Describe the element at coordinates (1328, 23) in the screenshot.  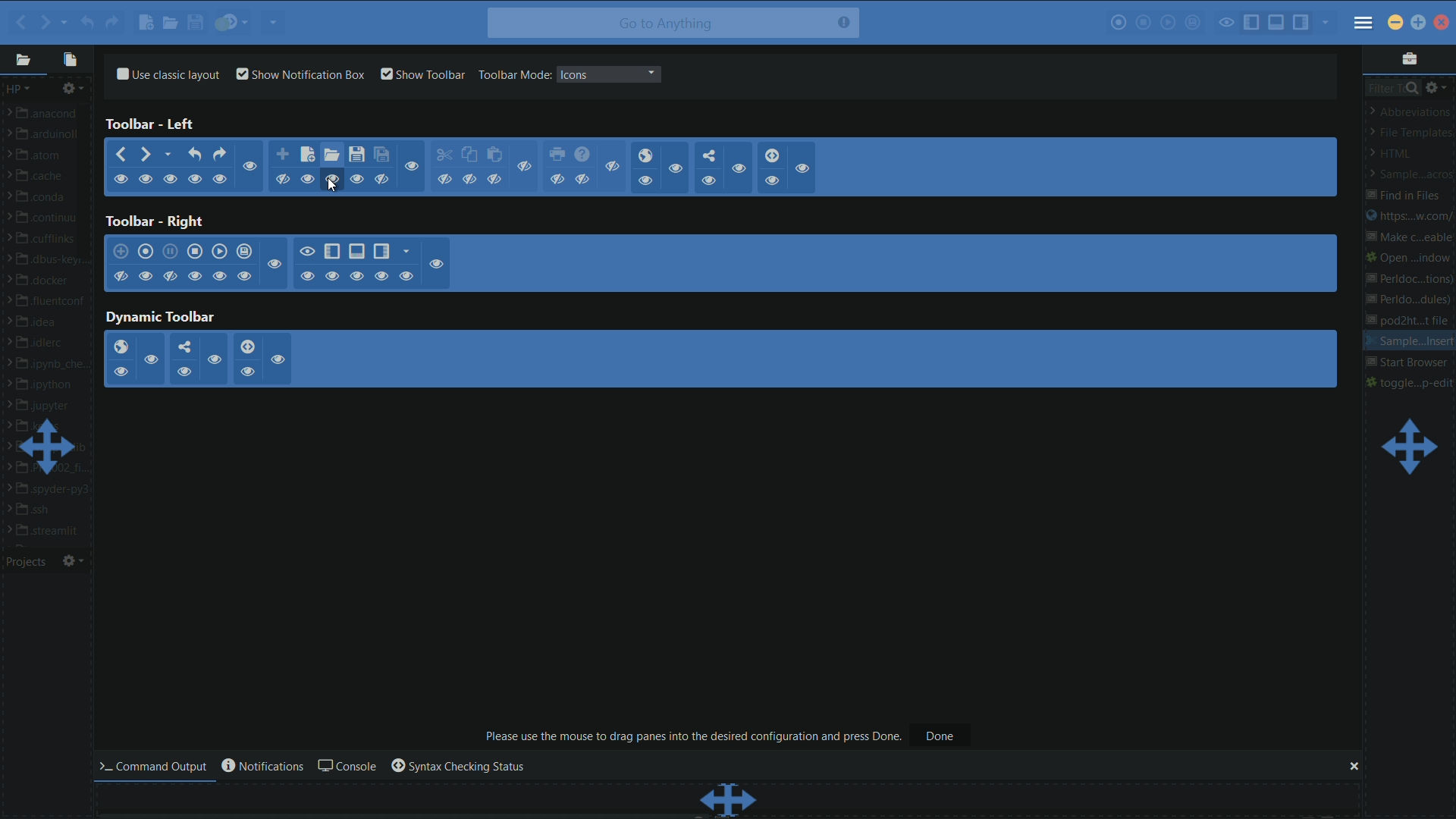
I see `show specific tab/sidebar` at that location.